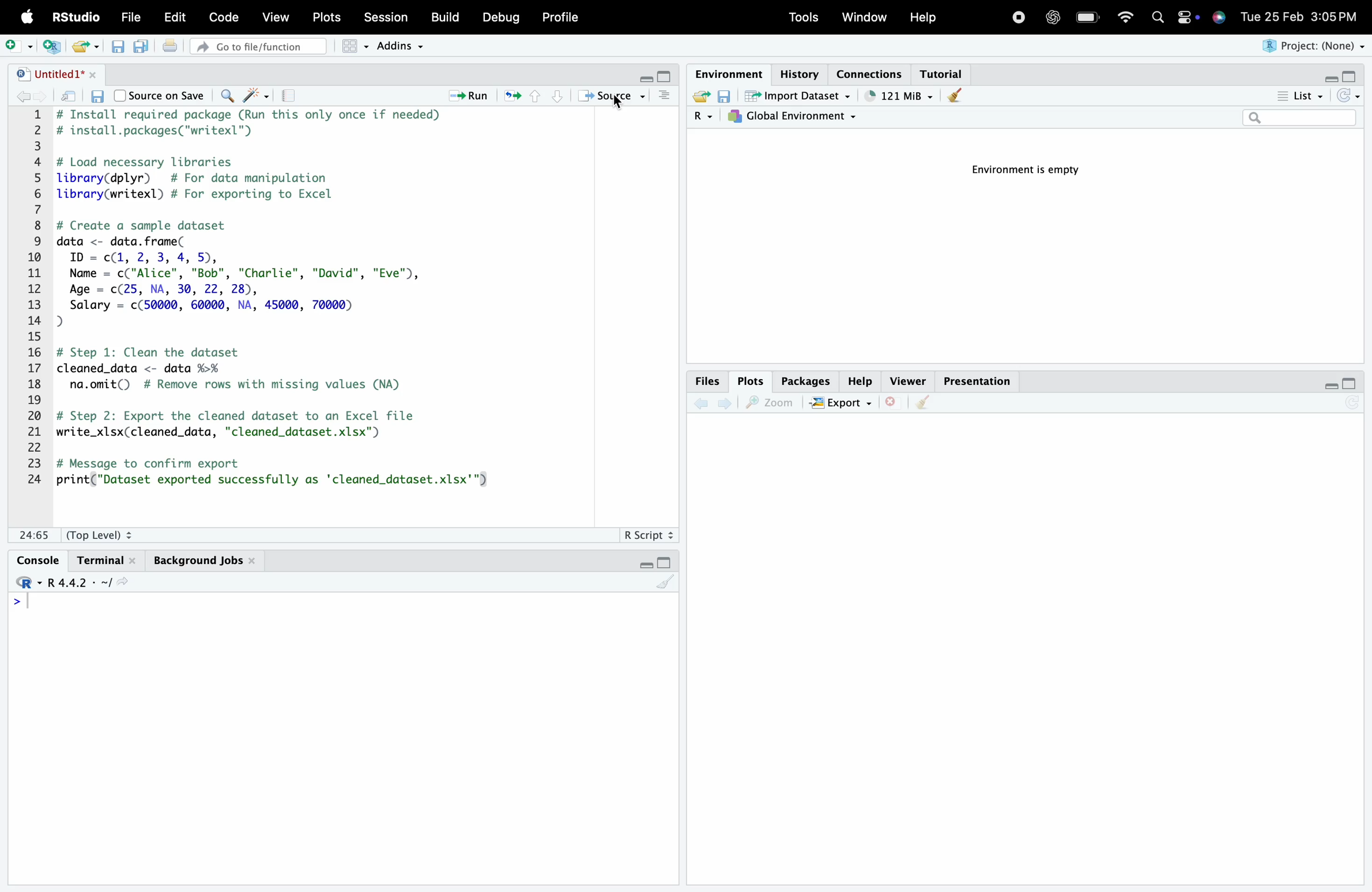 The height and width of the screenshot is (892, 1372). Describe the element at coordinates (33, 535) in the screenshot. I see `1:1` at that location.